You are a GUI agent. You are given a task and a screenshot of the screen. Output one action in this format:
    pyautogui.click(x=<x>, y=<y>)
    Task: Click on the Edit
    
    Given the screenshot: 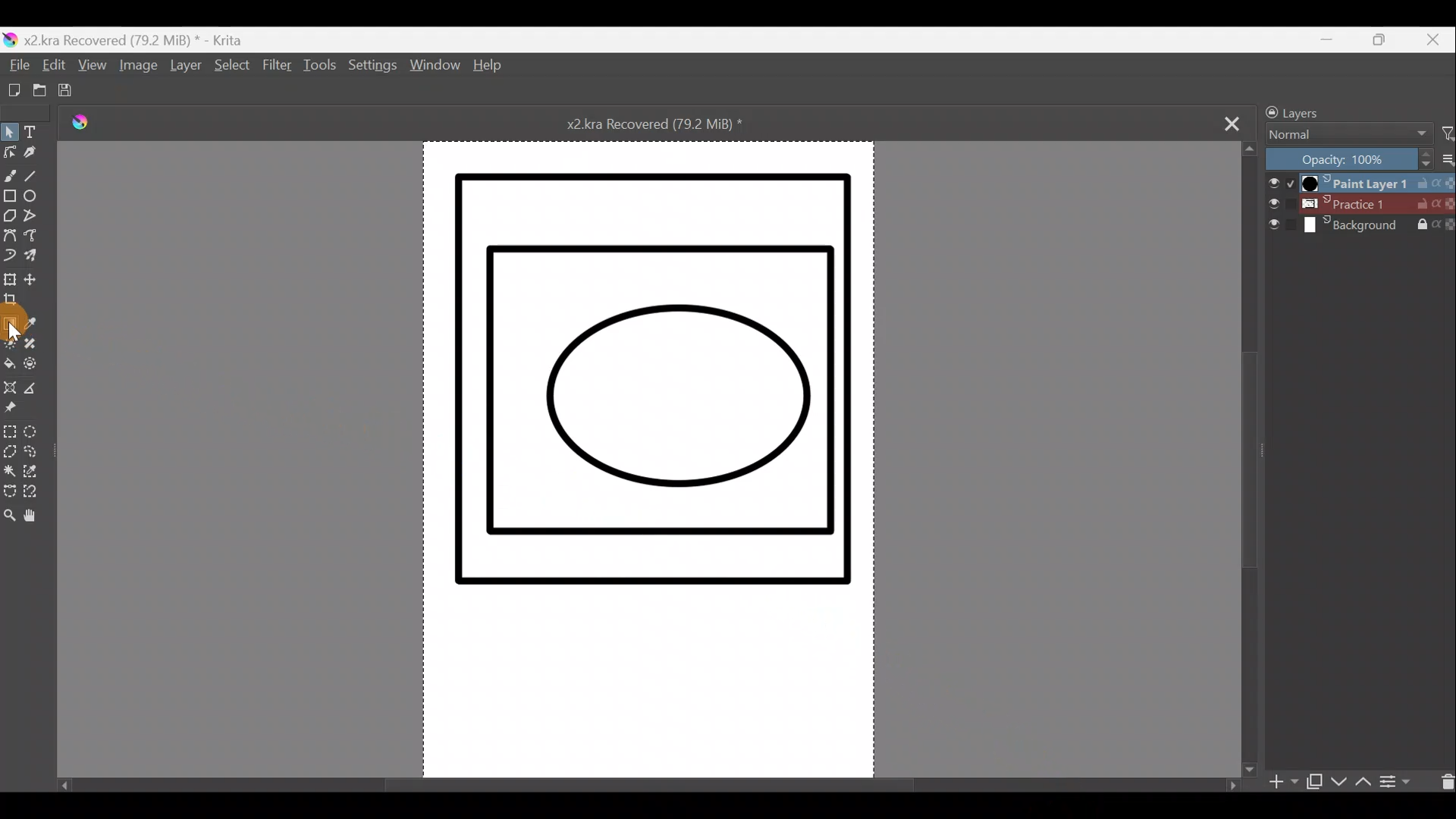 What is the action you would take?
    pyautogui.click(x=52, y=68)
    